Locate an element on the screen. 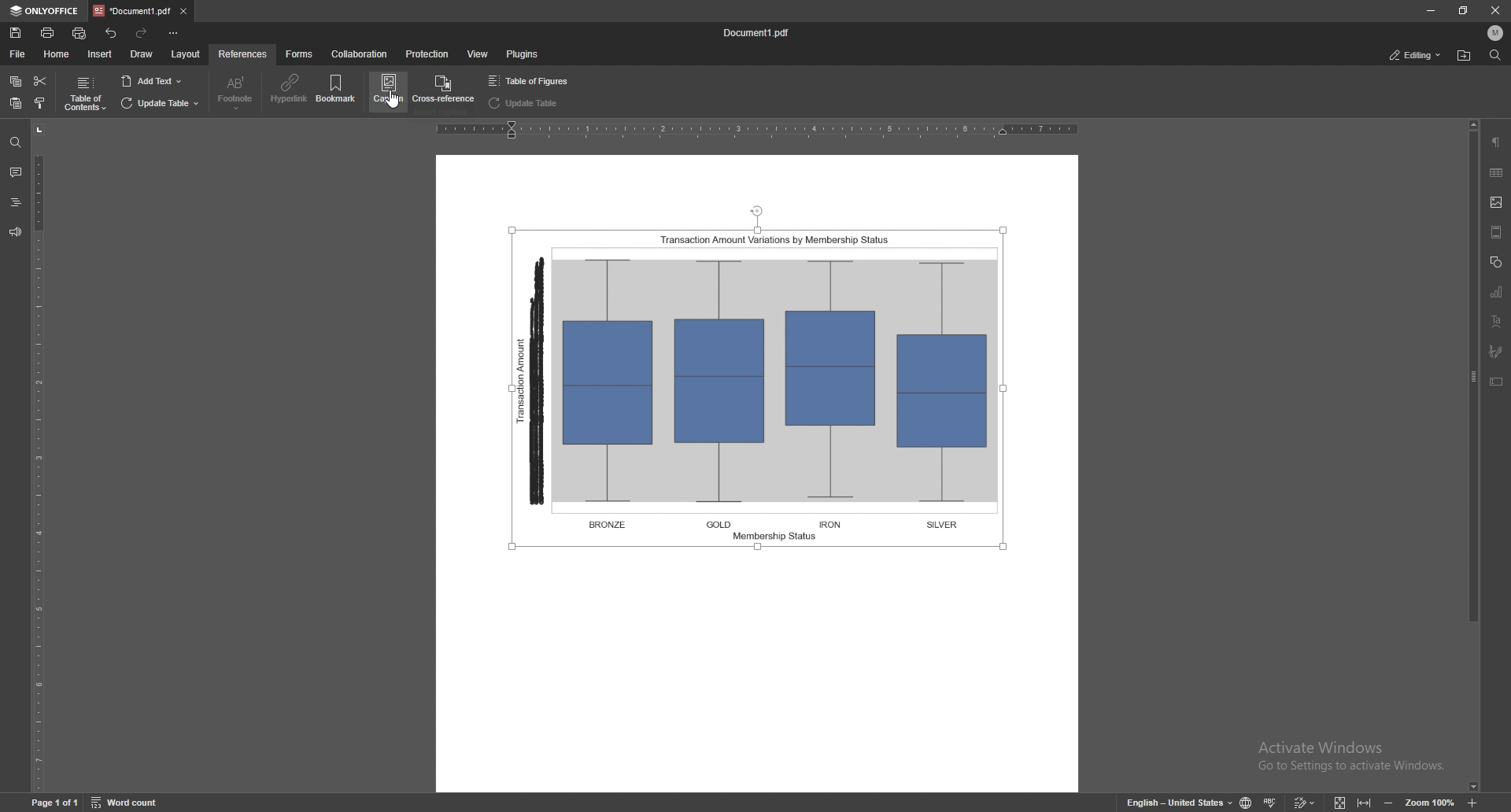 This screenshot has width=1511, height=812. resize is located at coordinates (1461, 10).